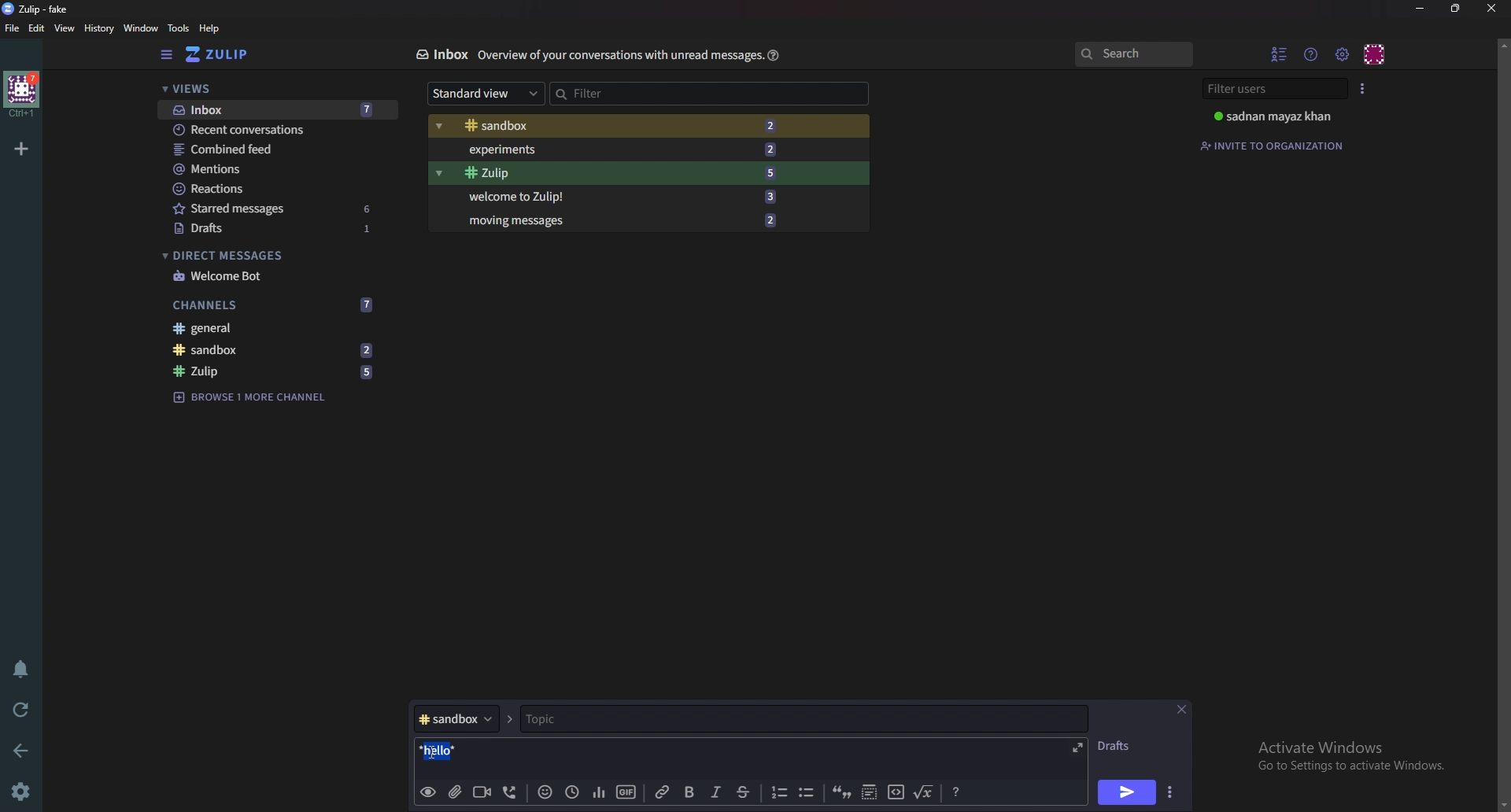 The image size is (1511, 812). Describe the element at coordinates (272, 328) in the screenshot. I see `# General` at that location.